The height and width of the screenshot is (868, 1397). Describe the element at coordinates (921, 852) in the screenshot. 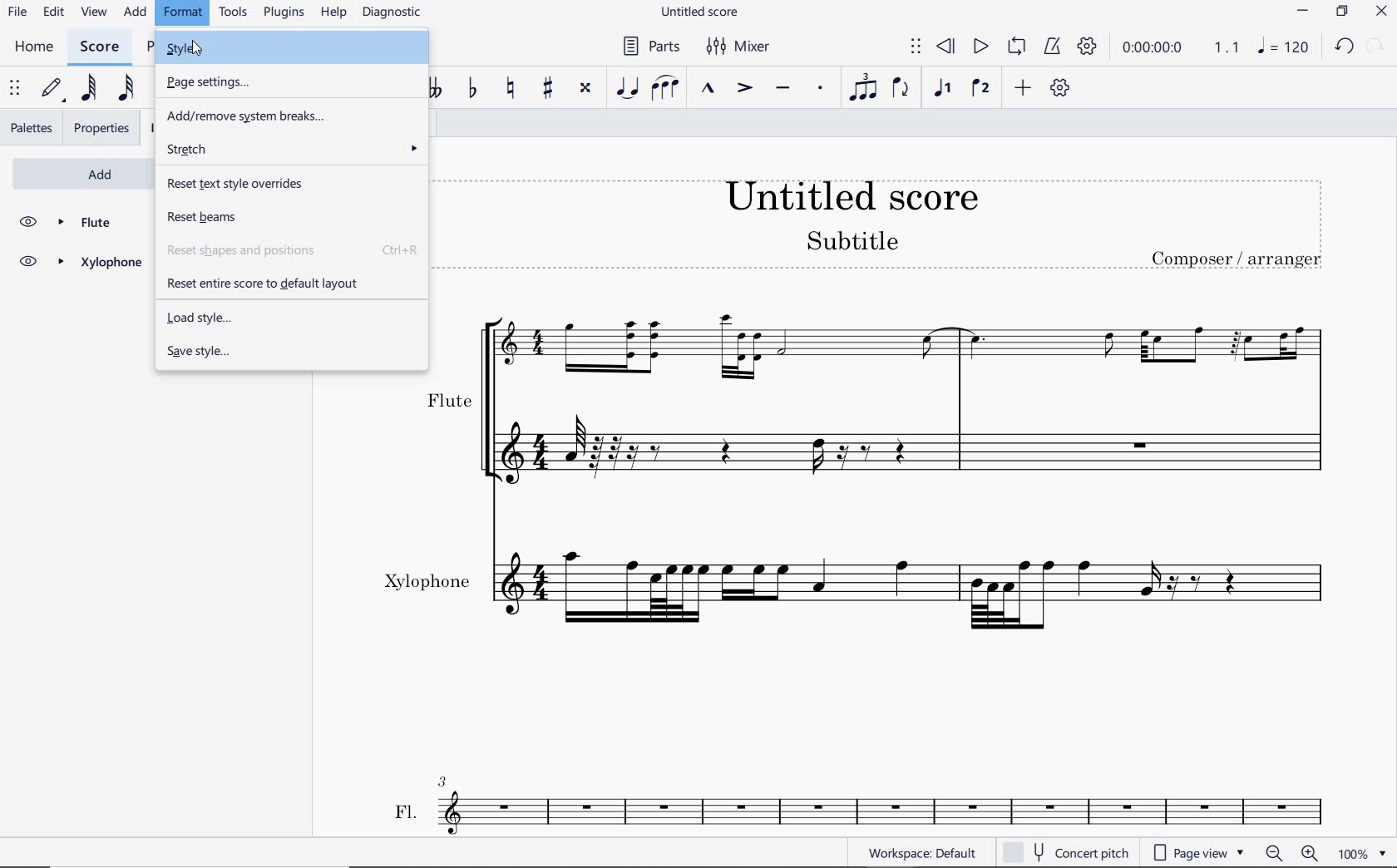

I see `workspace default` at that location.